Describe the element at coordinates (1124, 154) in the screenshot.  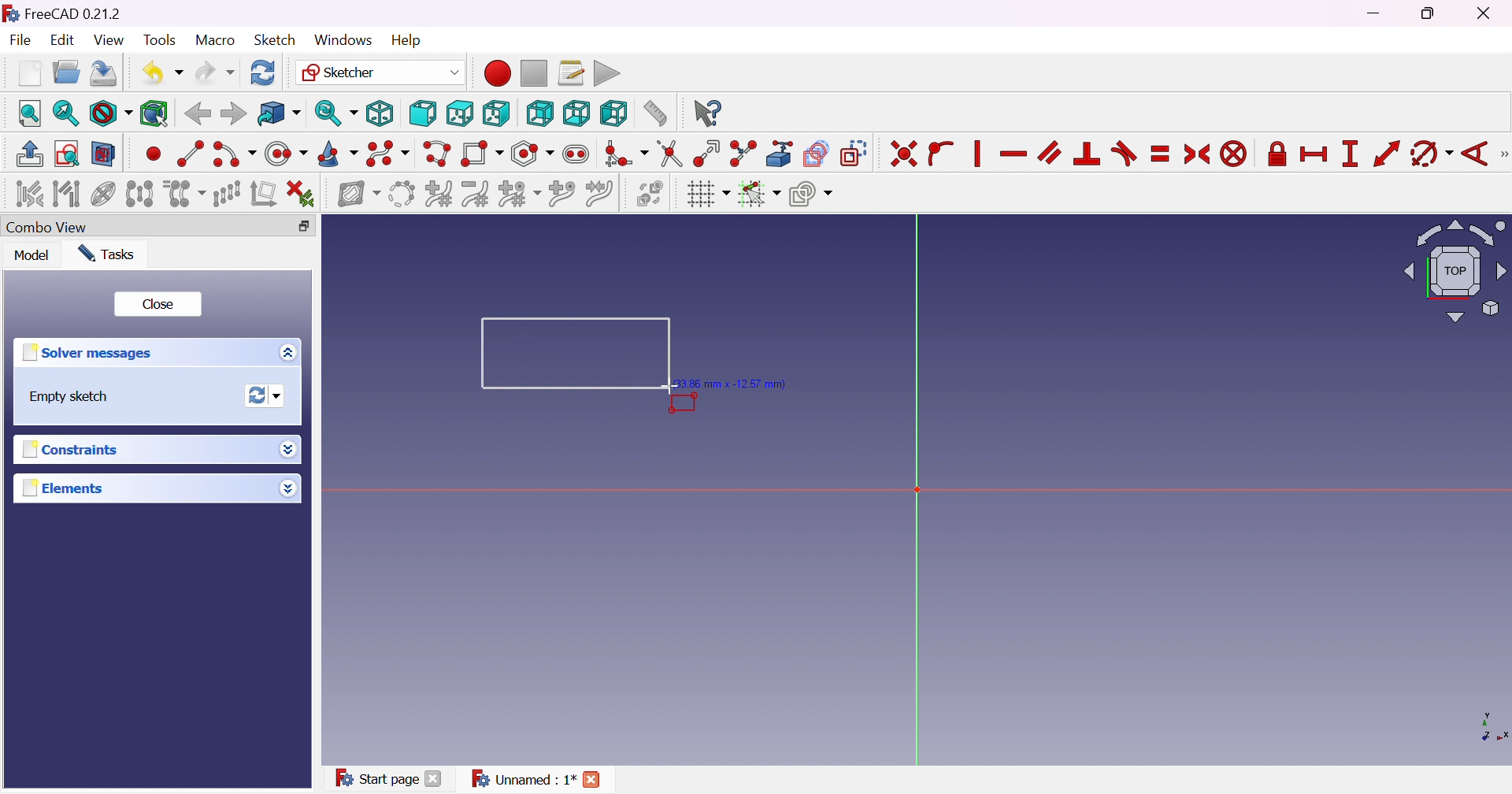
I see `Constrain tangent` at that location.